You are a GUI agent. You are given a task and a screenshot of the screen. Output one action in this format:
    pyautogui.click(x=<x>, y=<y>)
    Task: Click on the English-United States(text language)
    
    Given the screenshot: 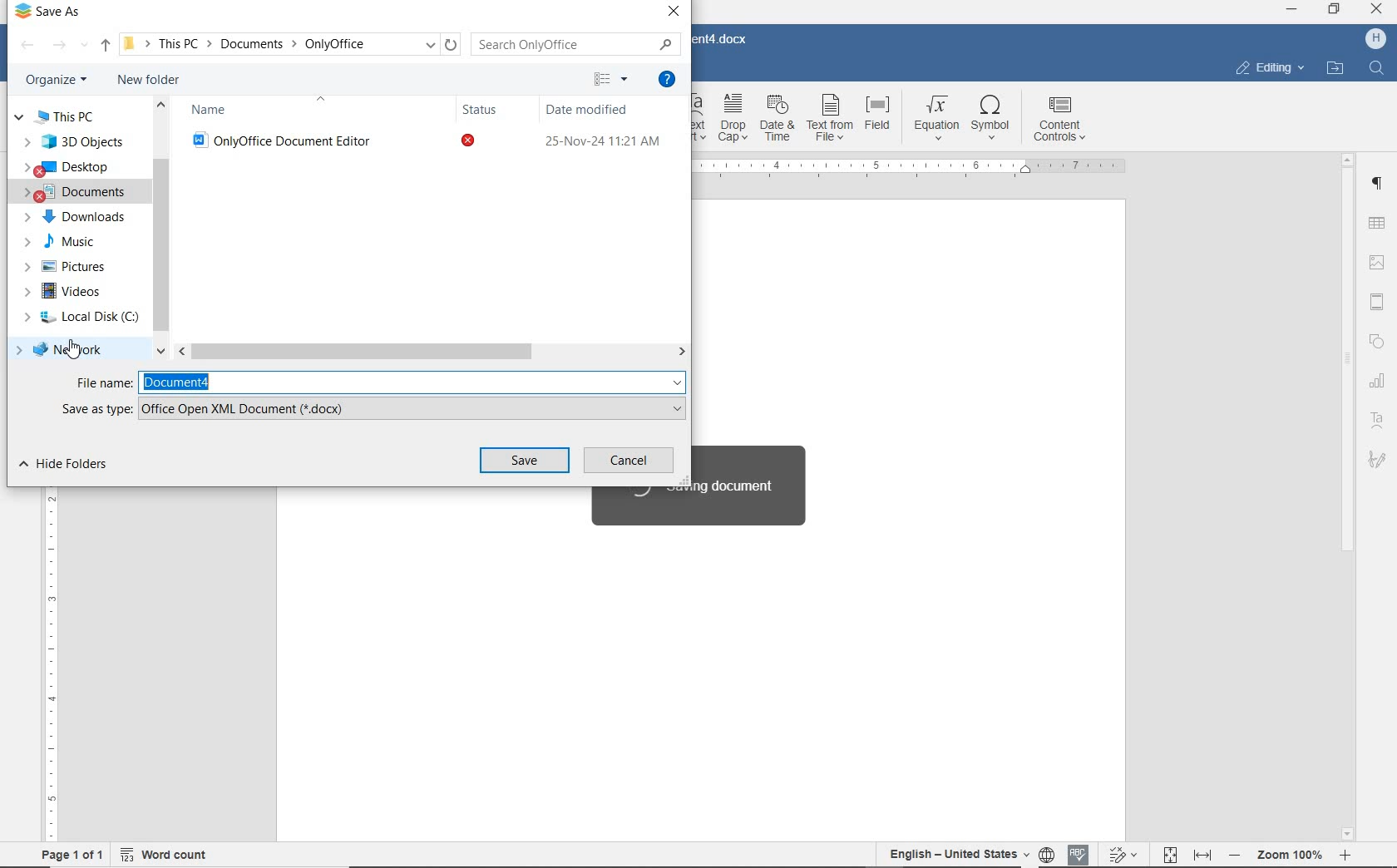 What is the action you would take?
    pyautogui.click(x=955, y=855)
    